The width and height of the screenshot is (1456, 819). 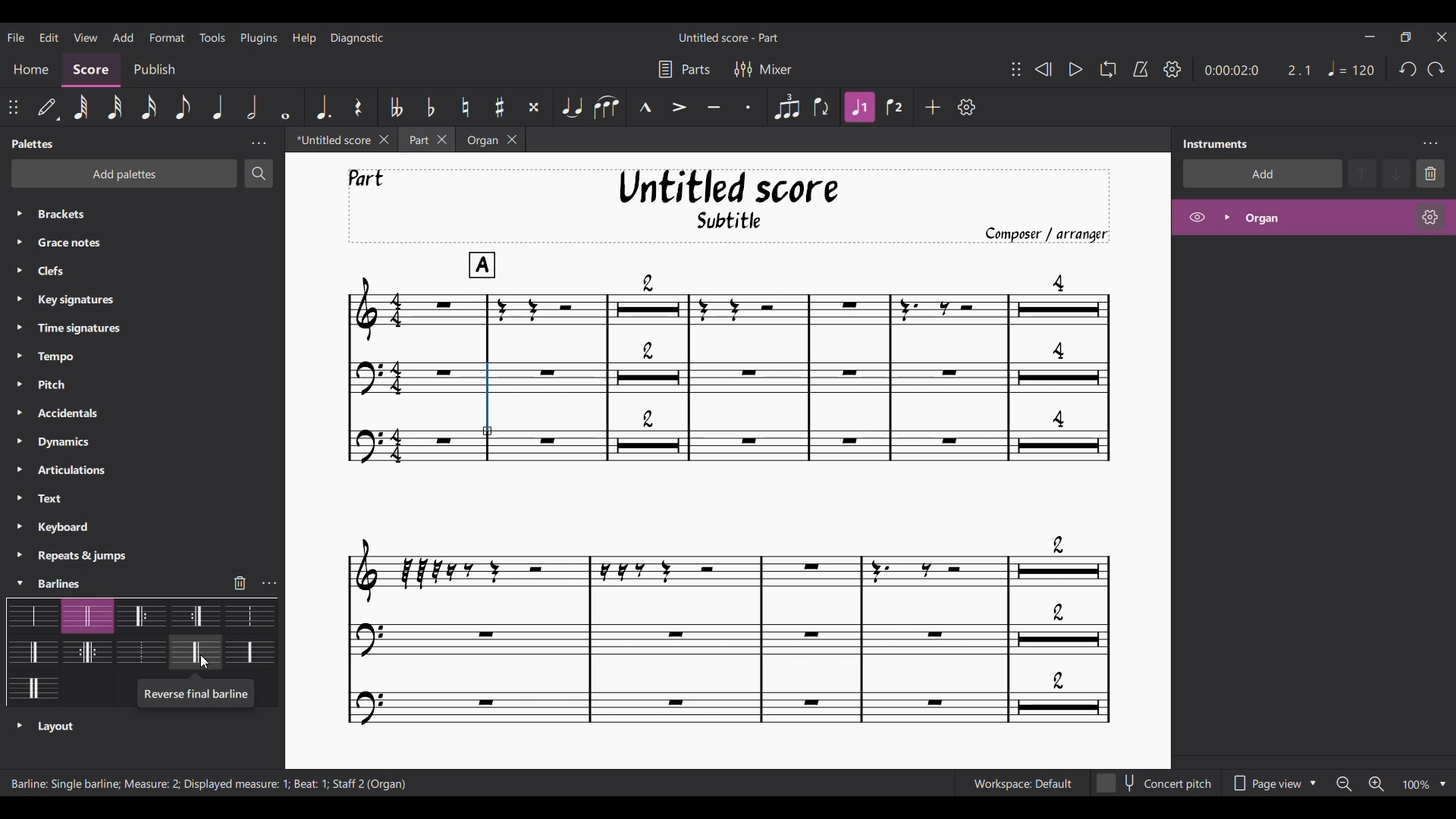 What do you see at coordinates (149, 107) in the screenshot?
I see `16th note` at bounding box center [149, 107].